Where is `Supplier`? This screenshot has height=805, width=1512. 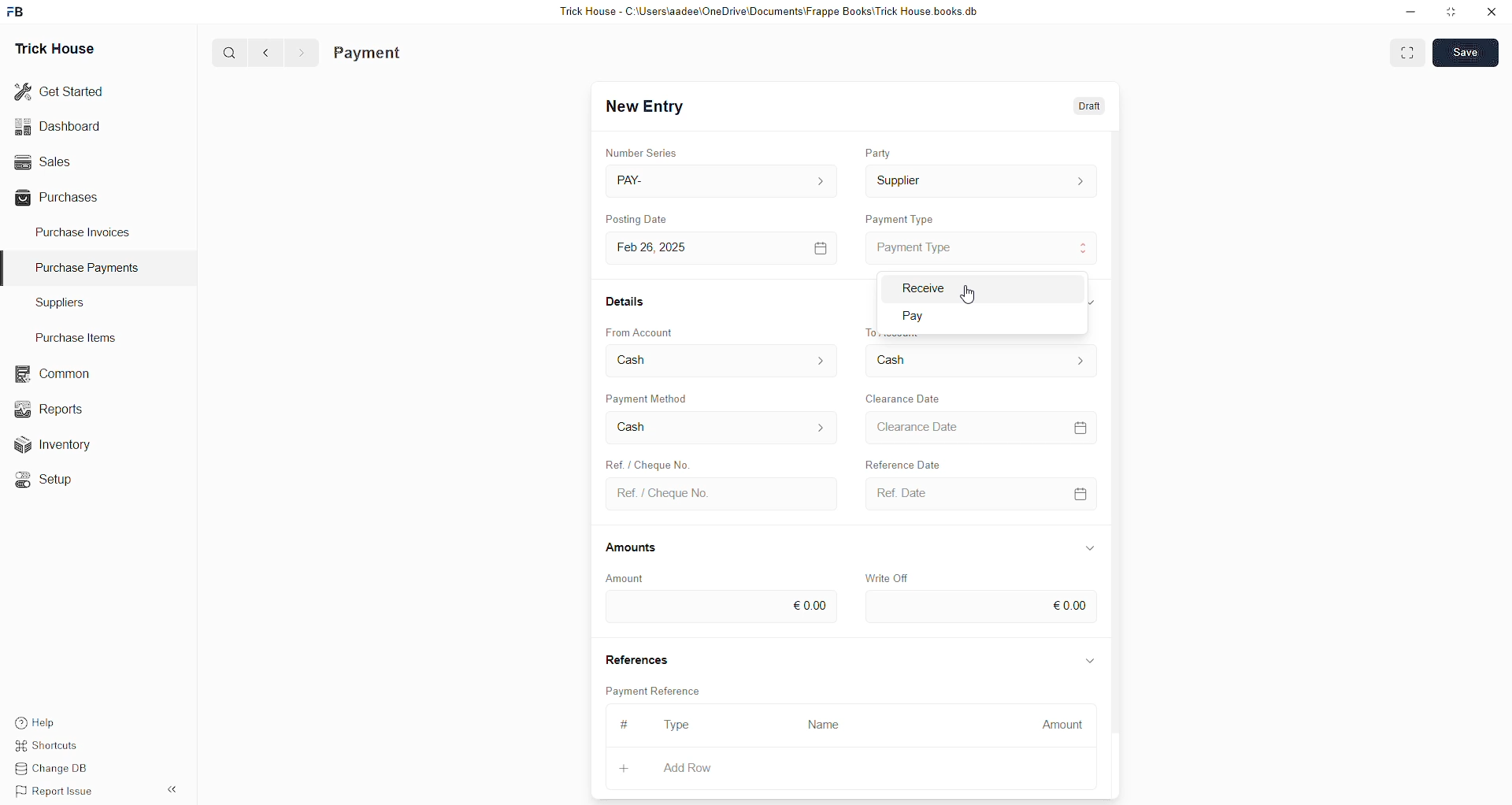 Supplier is located at coordinates (980, 182).